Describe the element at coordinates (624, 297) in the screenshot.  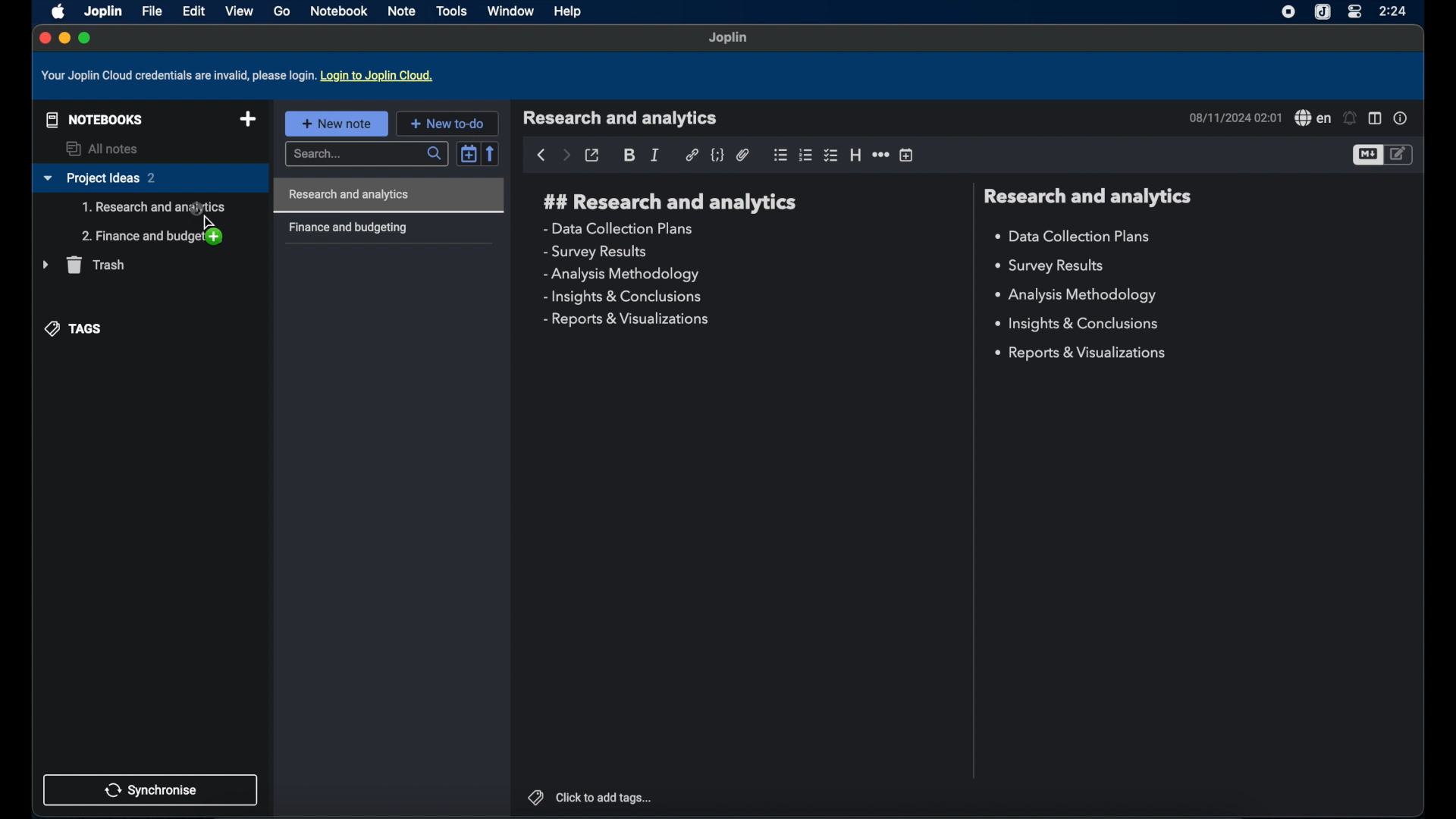
I see `insights and conclusions` at that location.